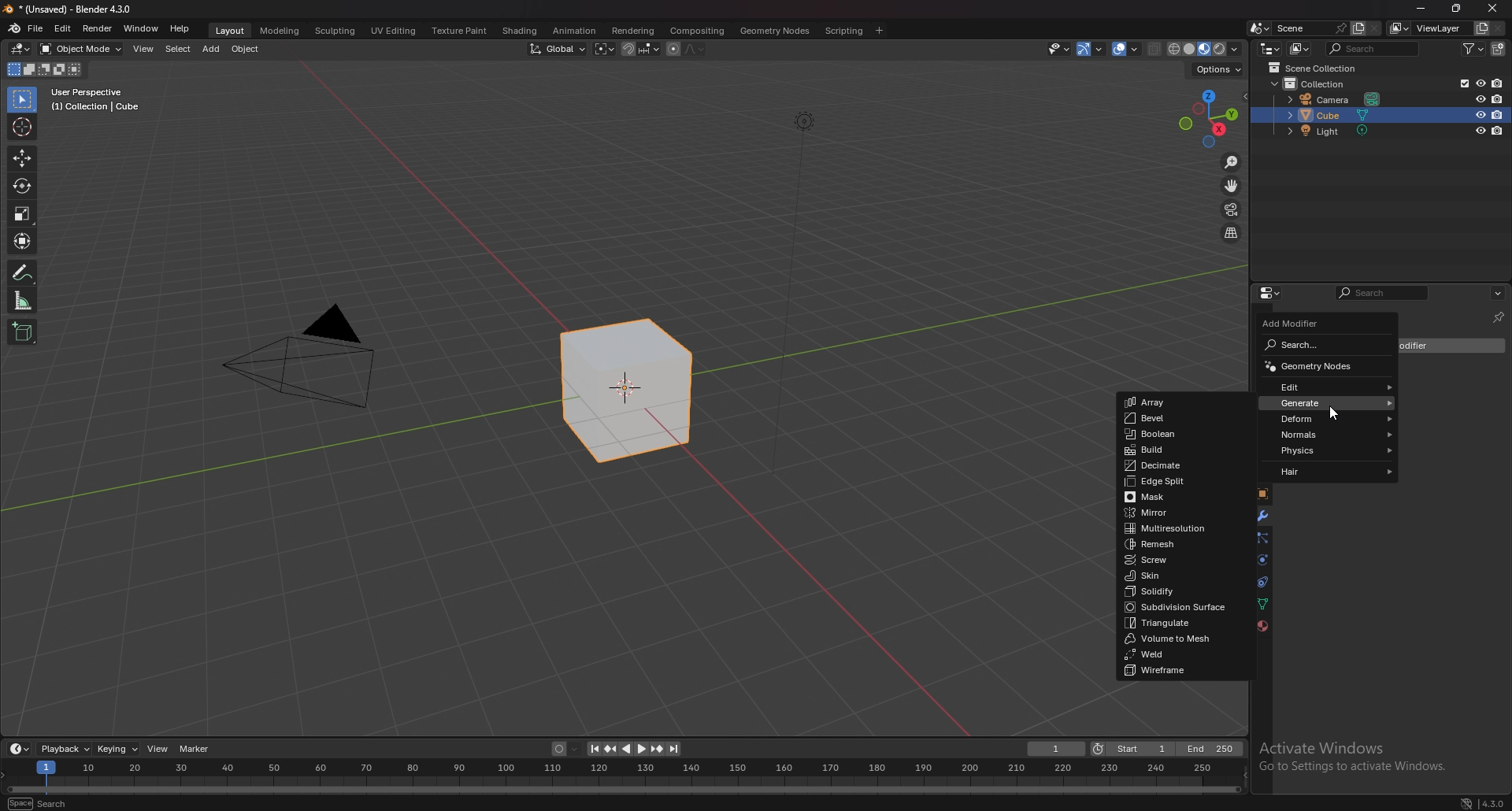 Image resolution: width=1512 pixels, height=811 pixels. Describe the element at coordinates (1325, 85) in the screenshot. I see `collection` at that location.